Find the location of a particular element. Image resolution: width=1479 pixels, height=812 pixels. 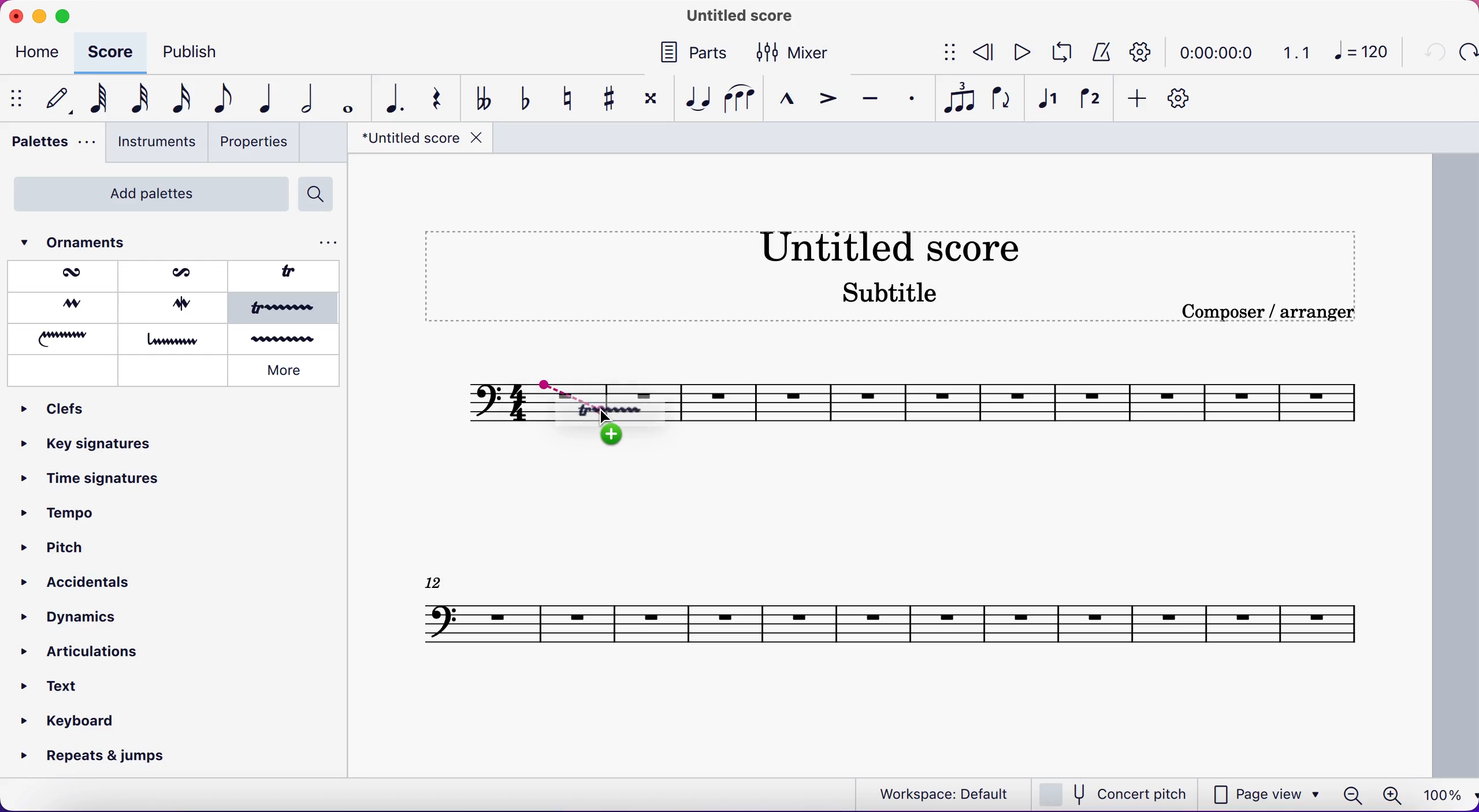

minimize is located at coordinates (39, 14).